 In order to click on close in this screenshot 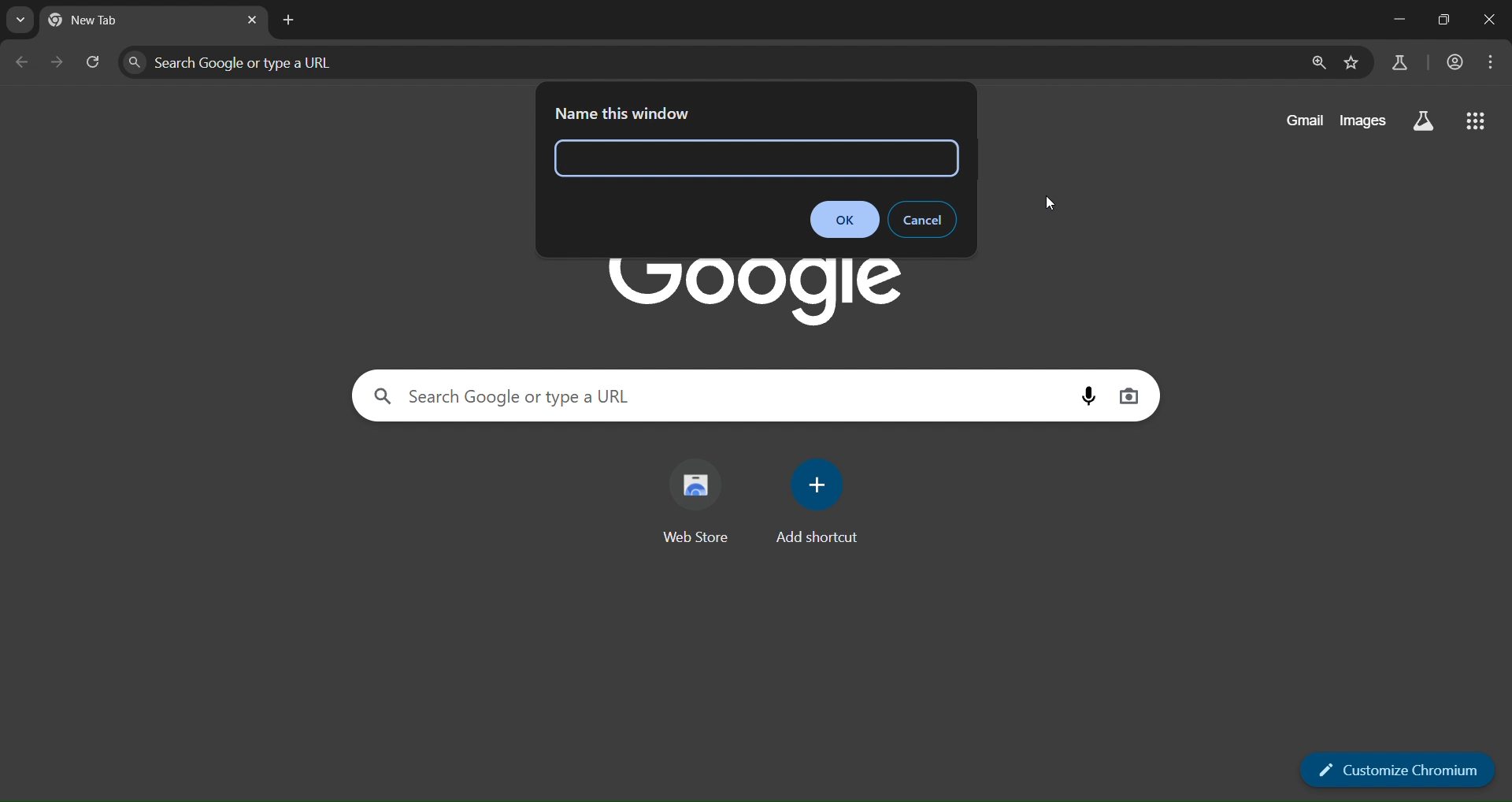, I will do `click(1491, 19)`.